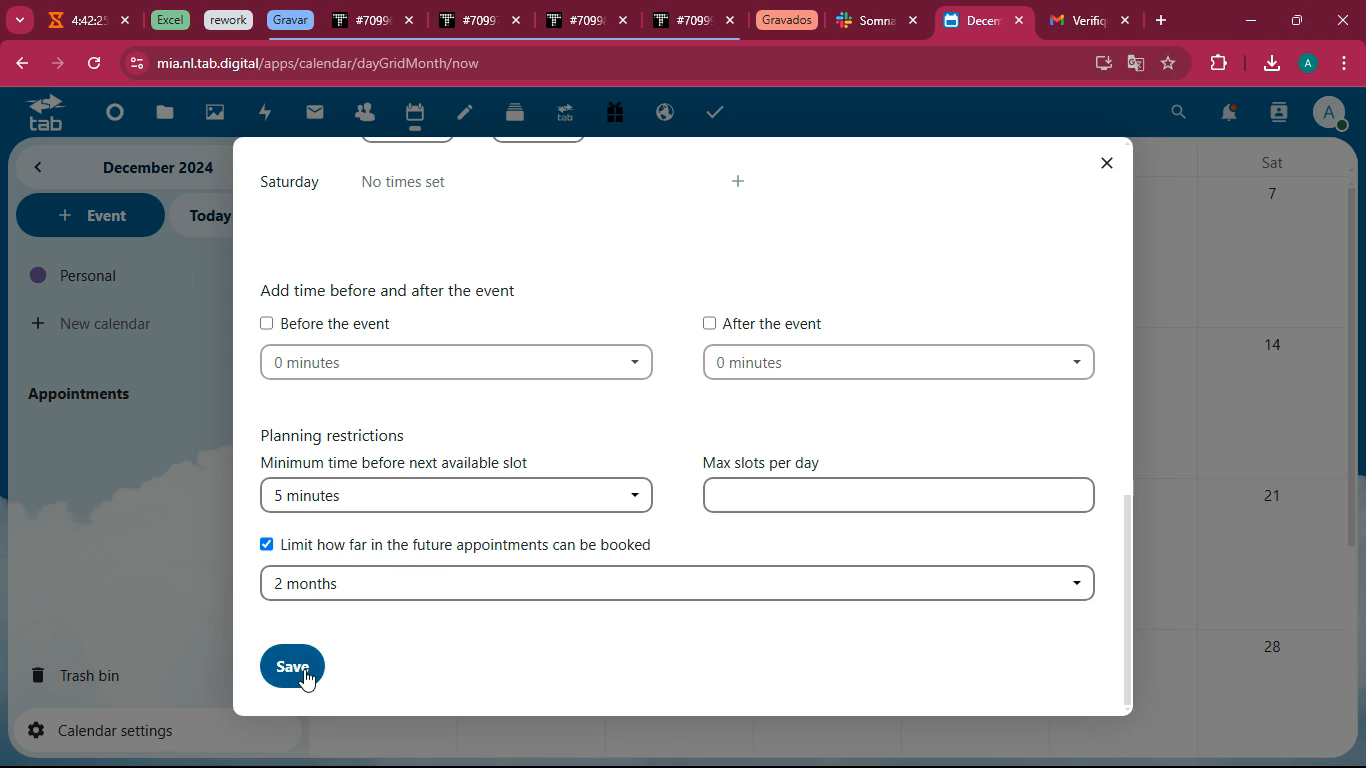 The image size is (1366, 768). I want to click on calendar, so click(414, 116).